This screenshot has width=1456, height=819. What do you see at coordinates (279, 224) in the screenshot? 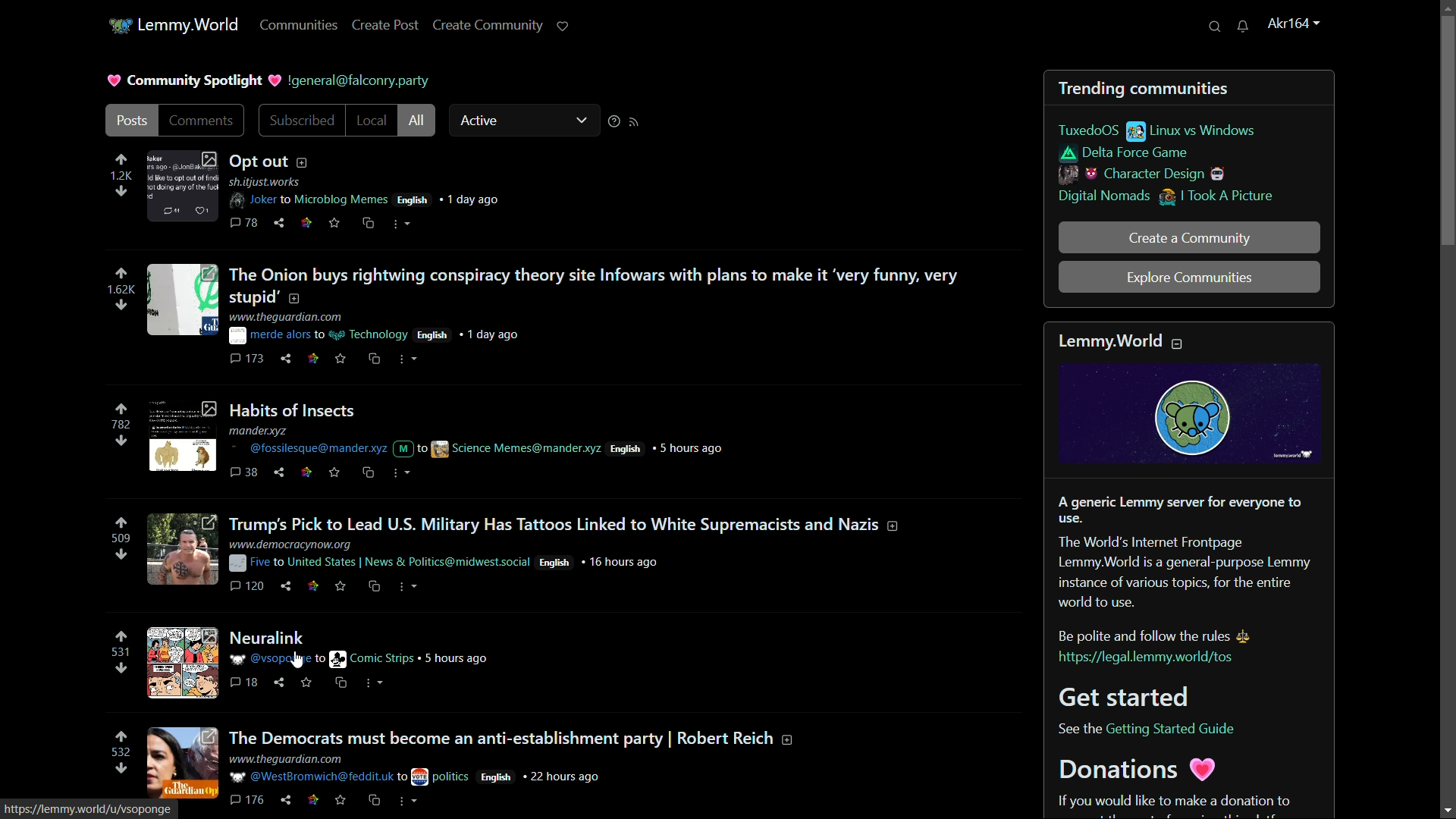
I see `share` at bounding box center [279, 224].